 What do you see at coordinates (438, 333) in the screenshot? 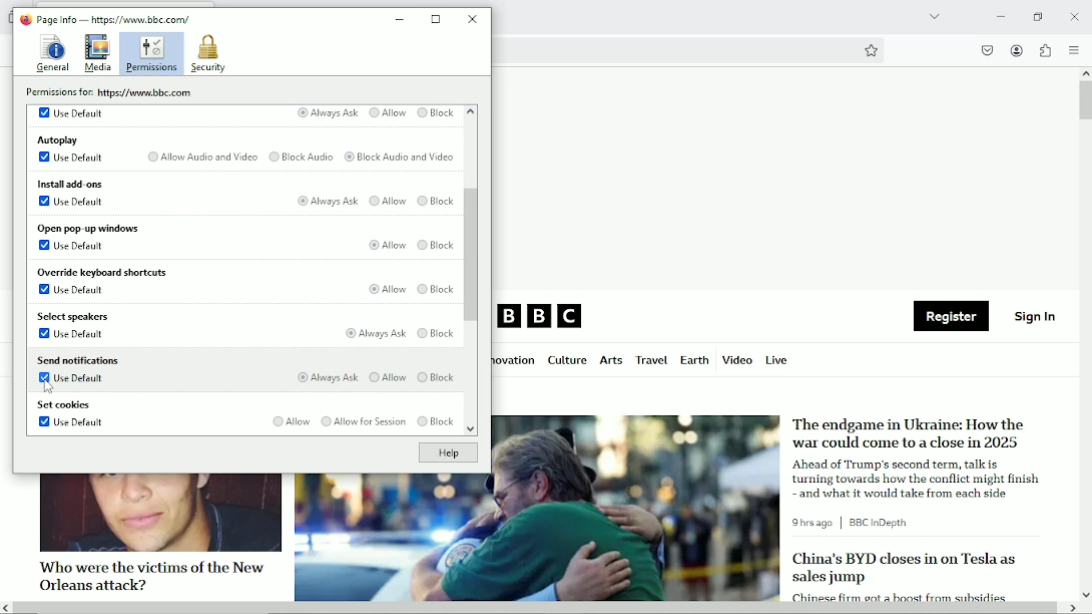
I see `Block` at bounding box center [438, 333].